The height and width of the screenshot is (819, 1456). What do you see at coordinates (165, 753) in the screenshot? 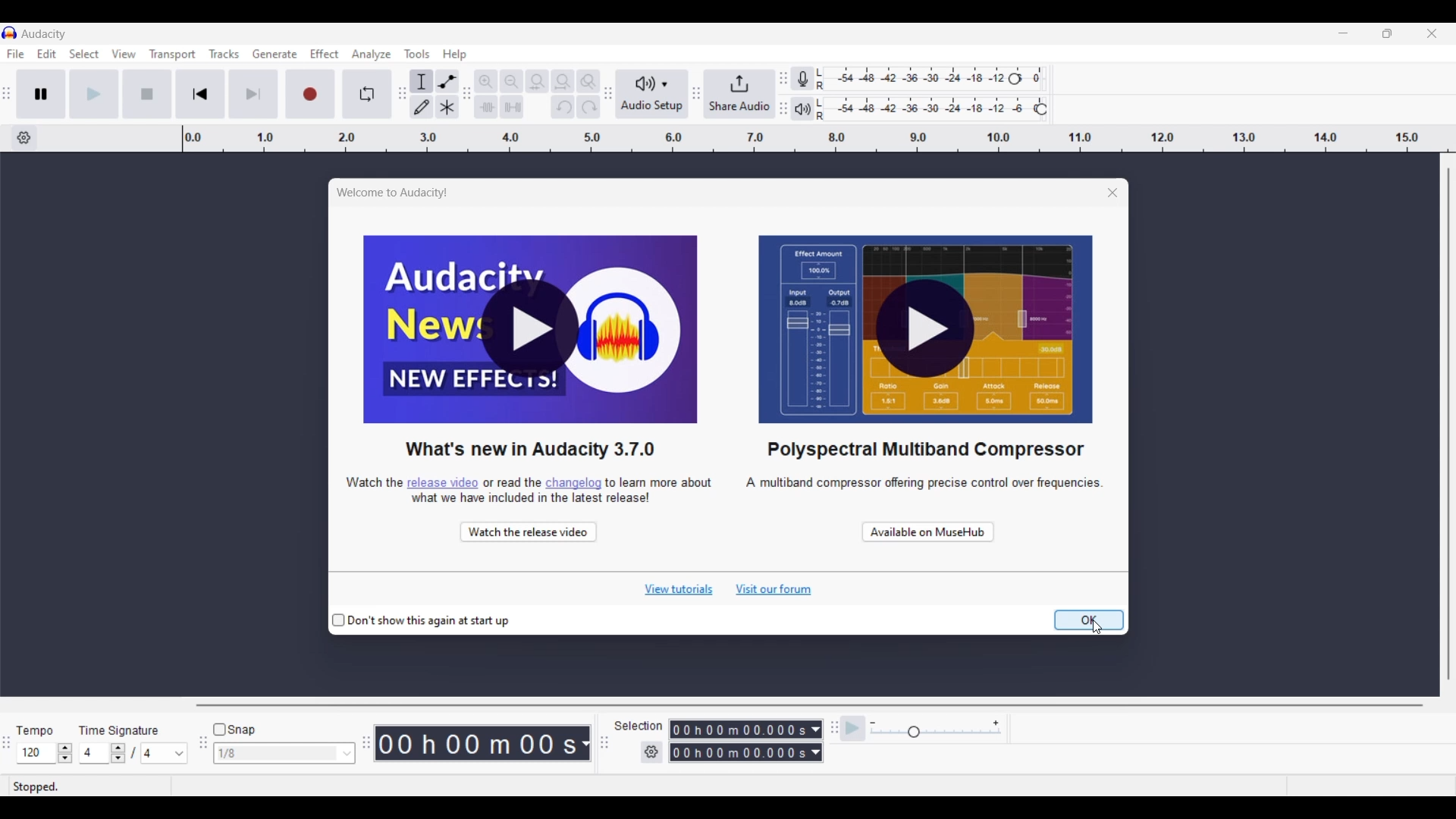
I see `4` at bounding box center [165, 753].